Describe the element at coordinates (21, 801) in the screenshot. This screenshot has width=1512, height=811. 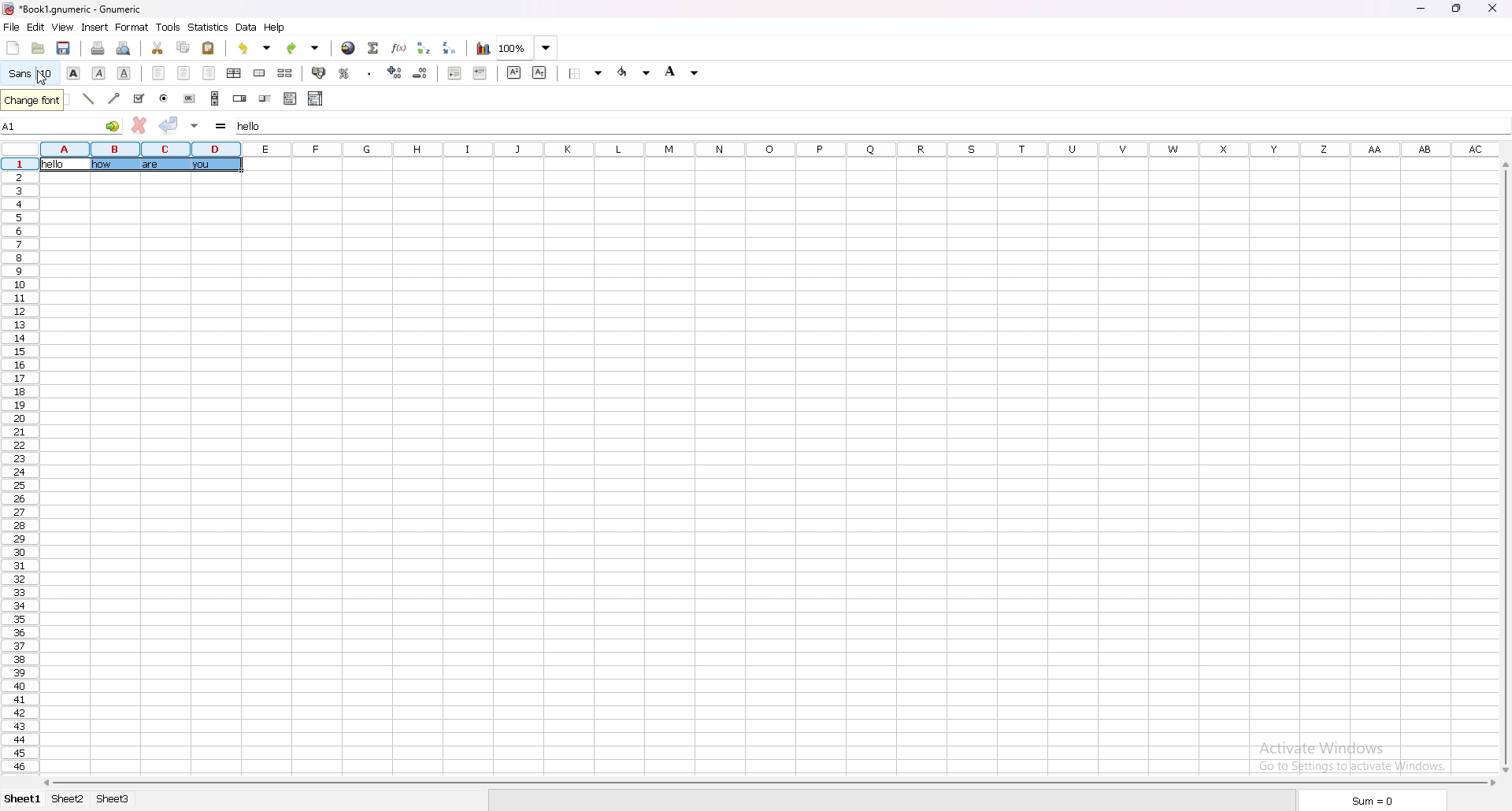
I see `sheet 1` at that location.